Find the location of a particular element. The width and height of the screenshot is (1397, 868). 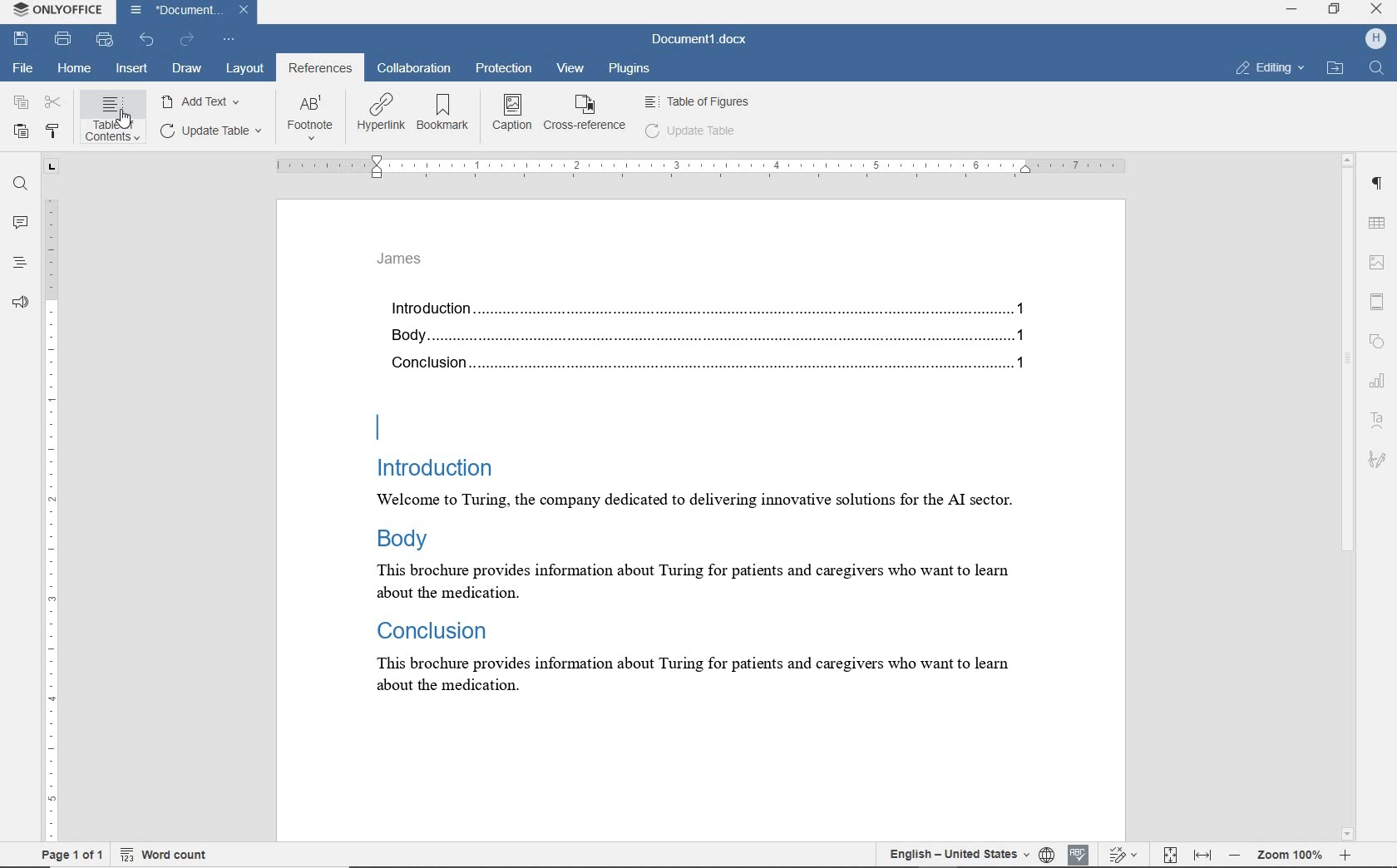

spell check is located at coordinates (1078, 856).